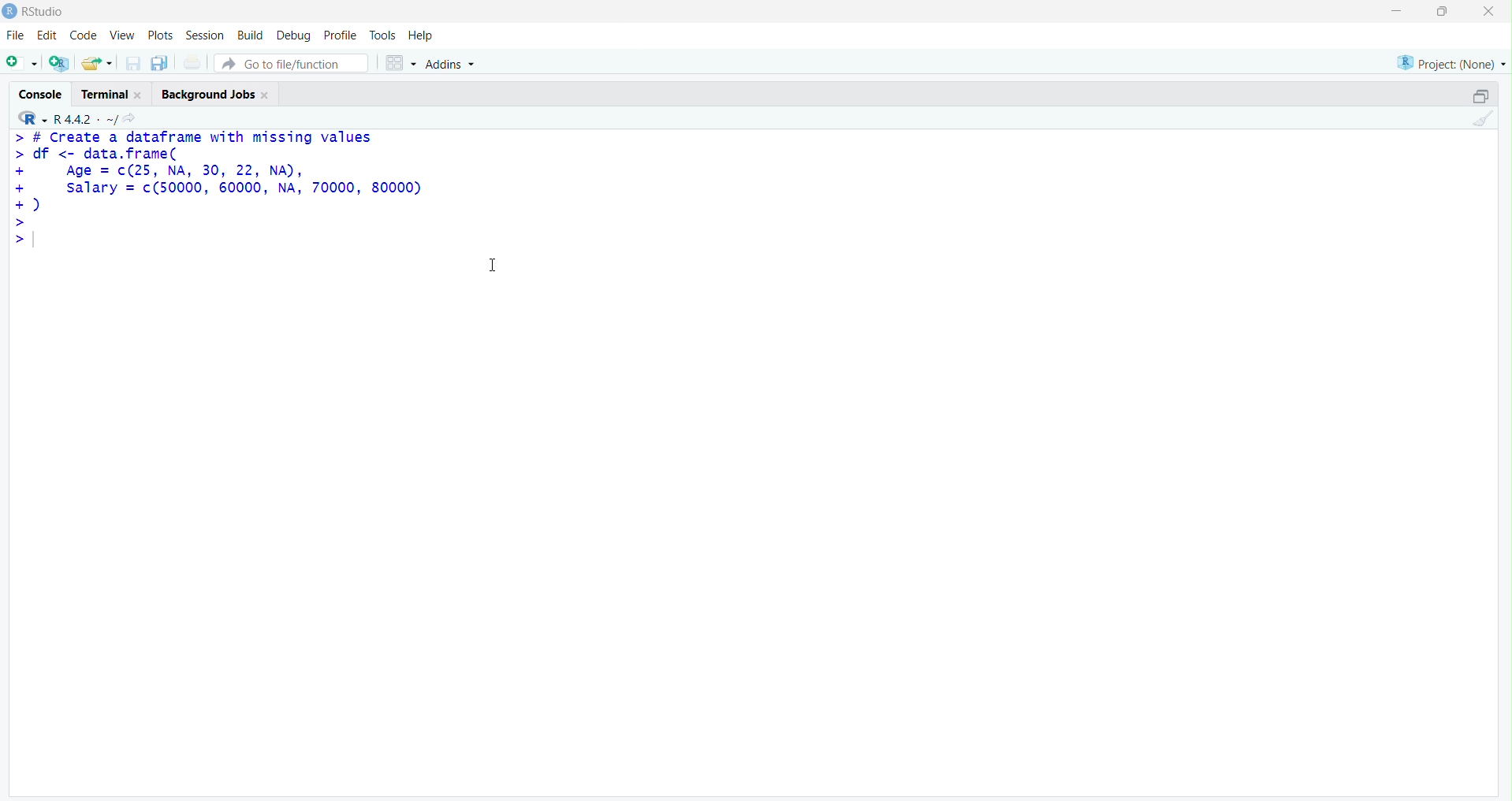  Describe the element at coordinates (296, 35) in the screenshot. I see `Debug` at that location.